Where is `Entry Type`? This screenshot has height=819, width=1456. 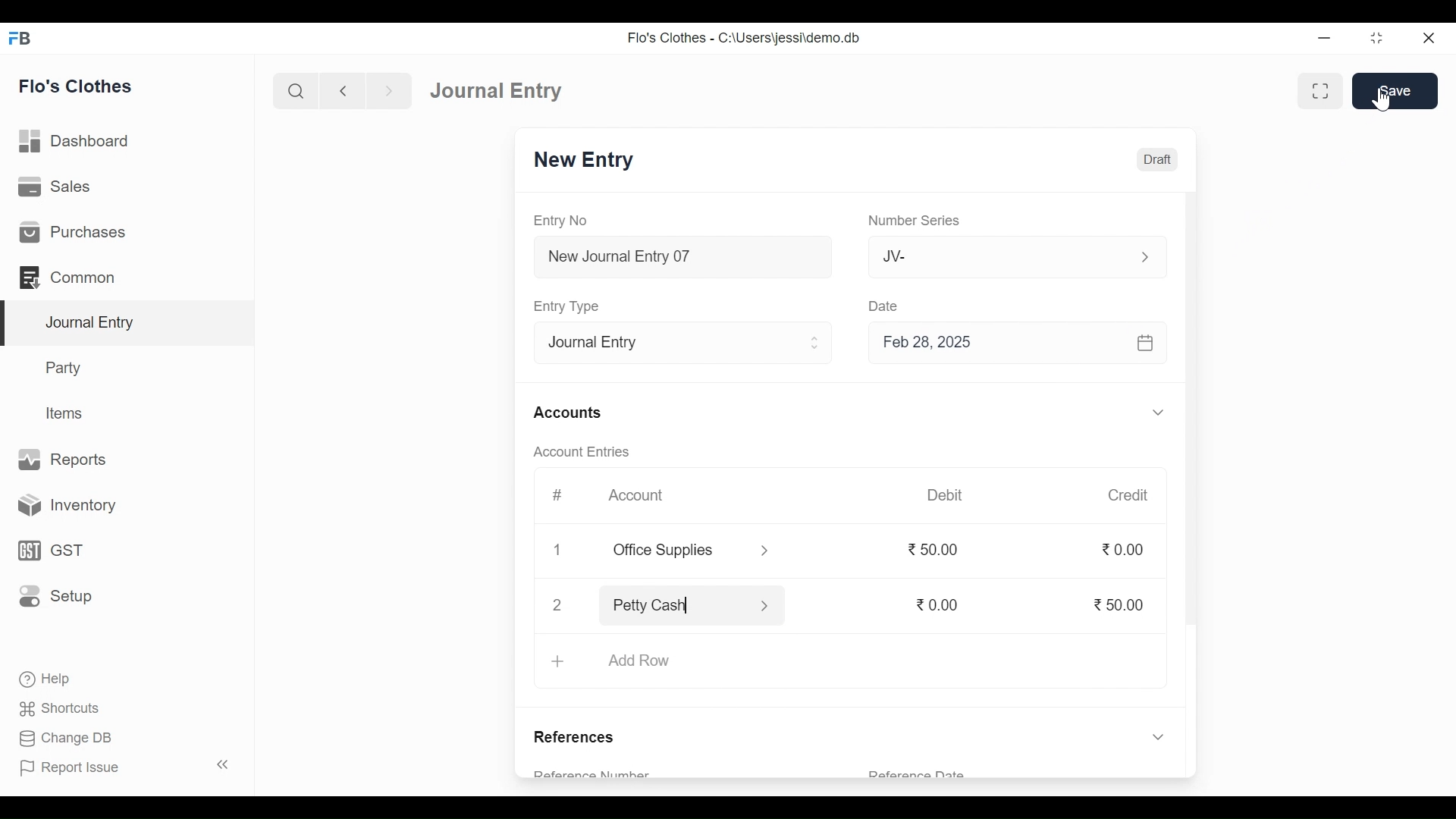
Entry Type is located at coordinates (570, 306).